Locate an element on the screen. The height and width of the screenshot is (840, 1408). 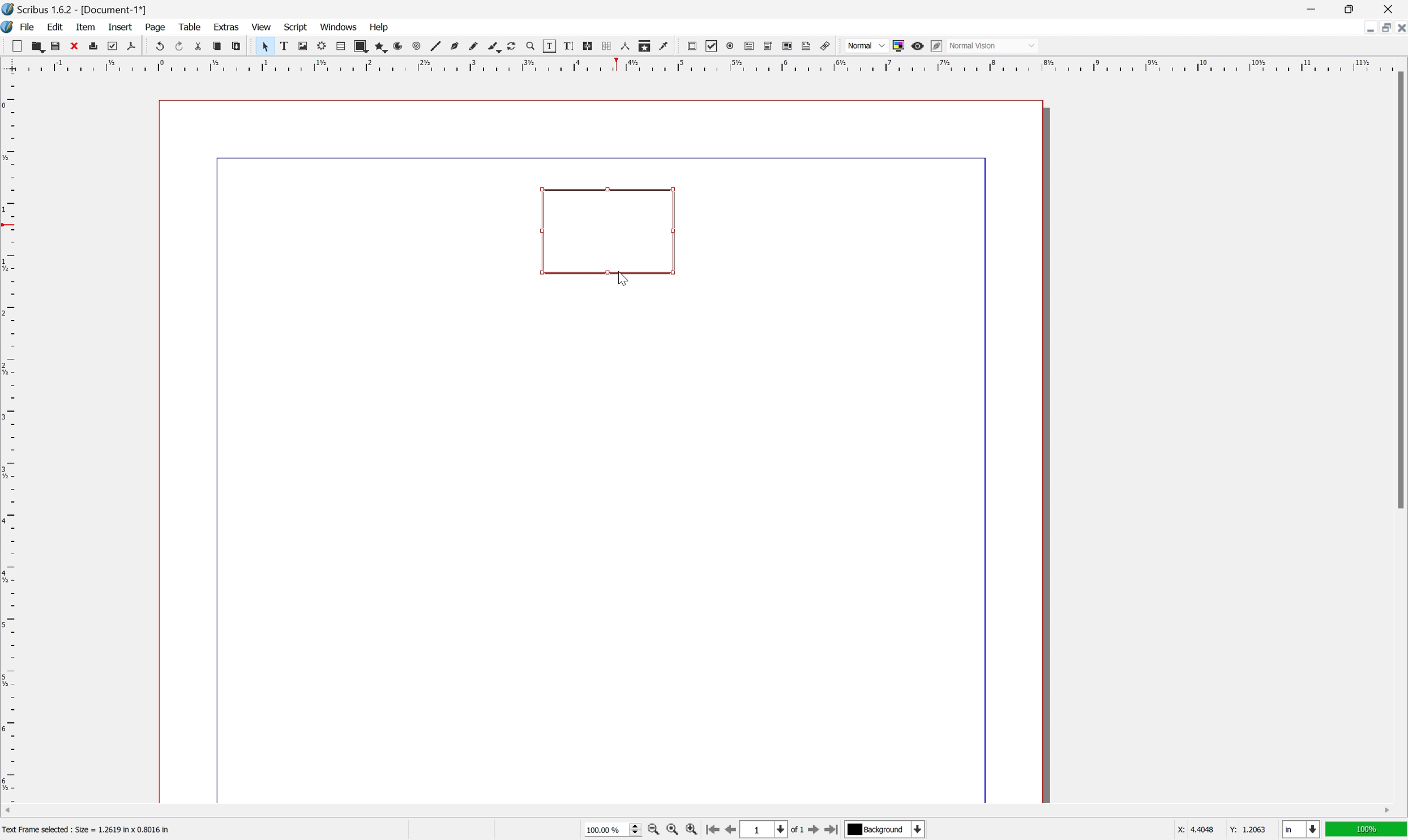
X: 44048 Y: 1.2063 is located at coordinates (1219, 829).